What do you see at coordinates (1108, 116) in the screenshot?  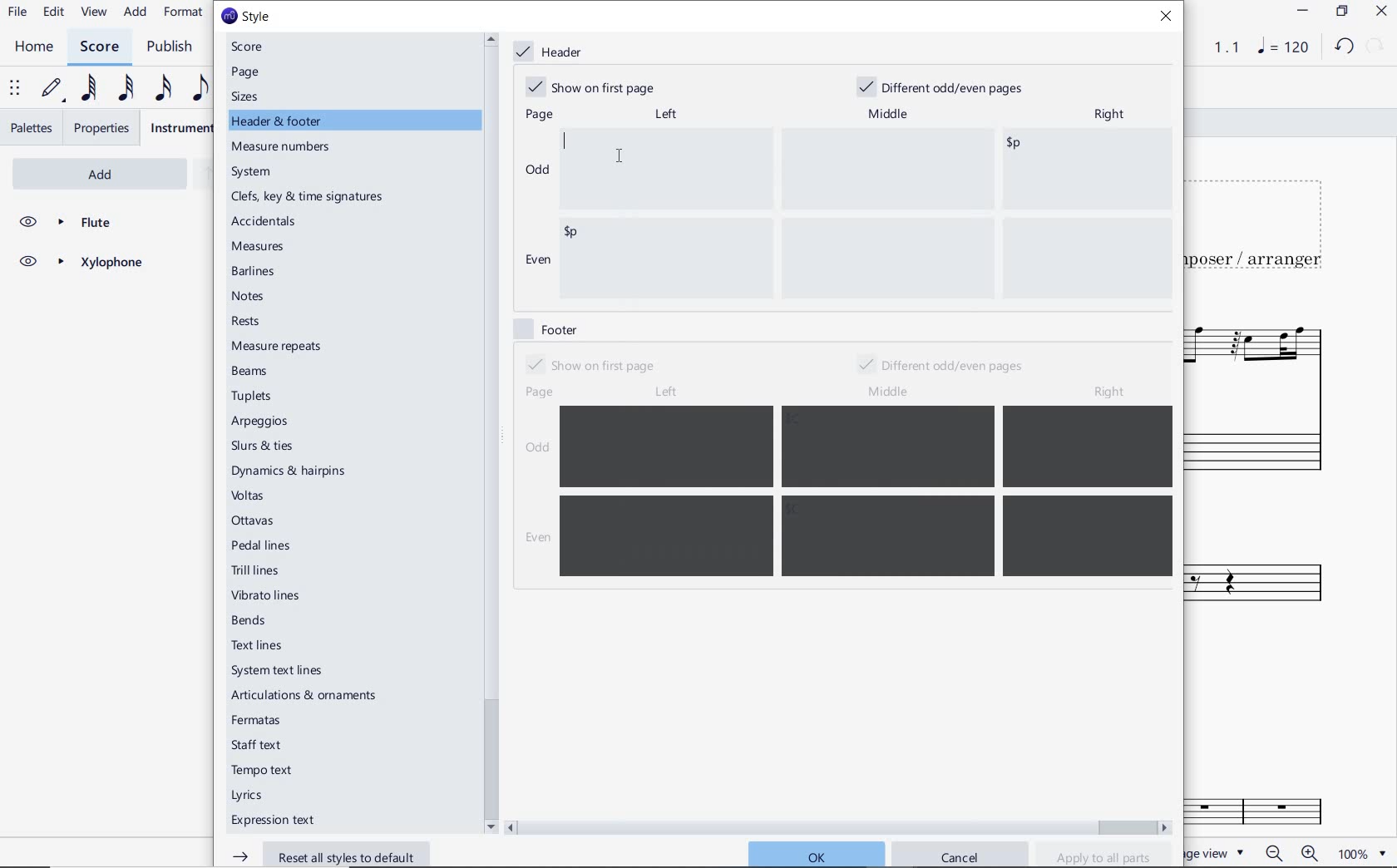 I see `right` at bounding box center [1108, 116].